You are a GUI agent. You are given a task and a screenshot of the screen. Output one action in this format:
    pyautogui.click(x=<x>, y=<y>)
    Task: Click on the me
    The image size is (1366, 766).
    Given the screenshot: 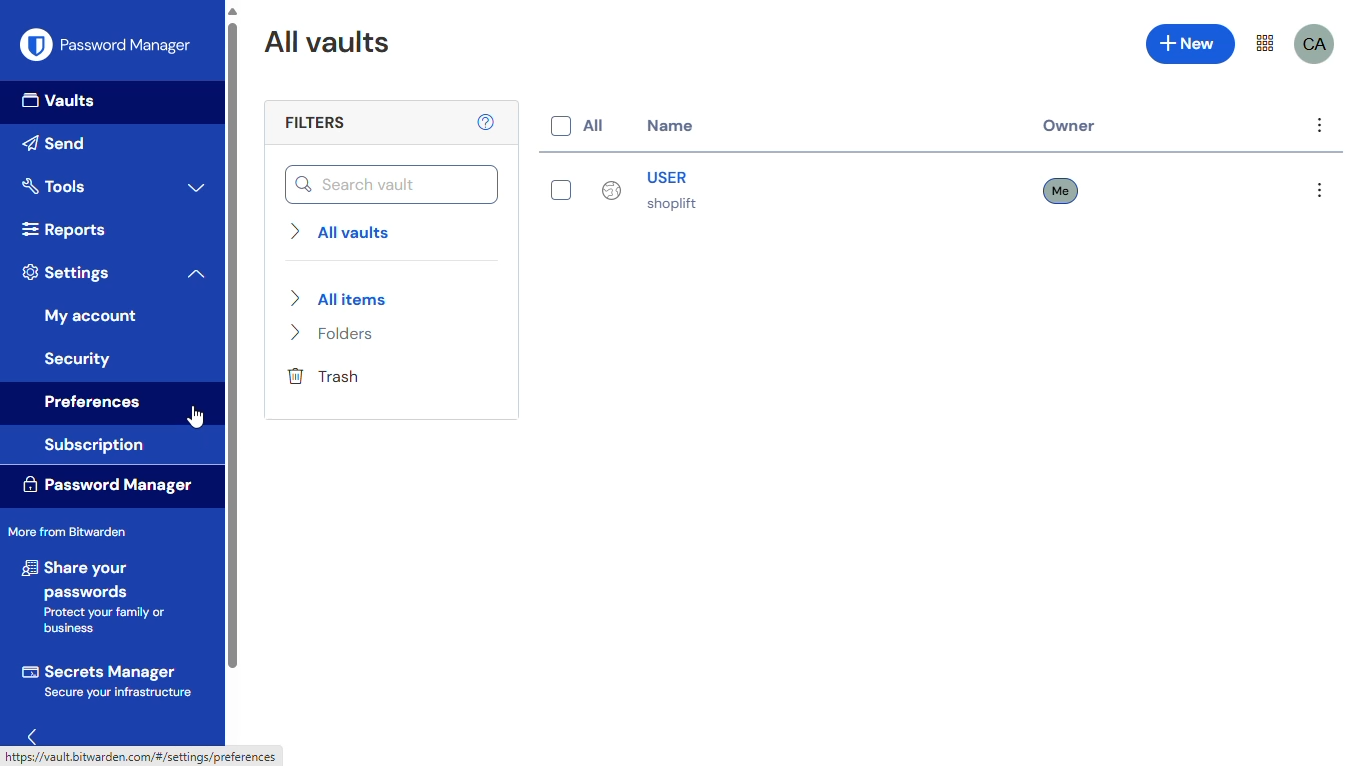 What is the action you would take?
    pyautogui.click(x=1063, y=191)
    